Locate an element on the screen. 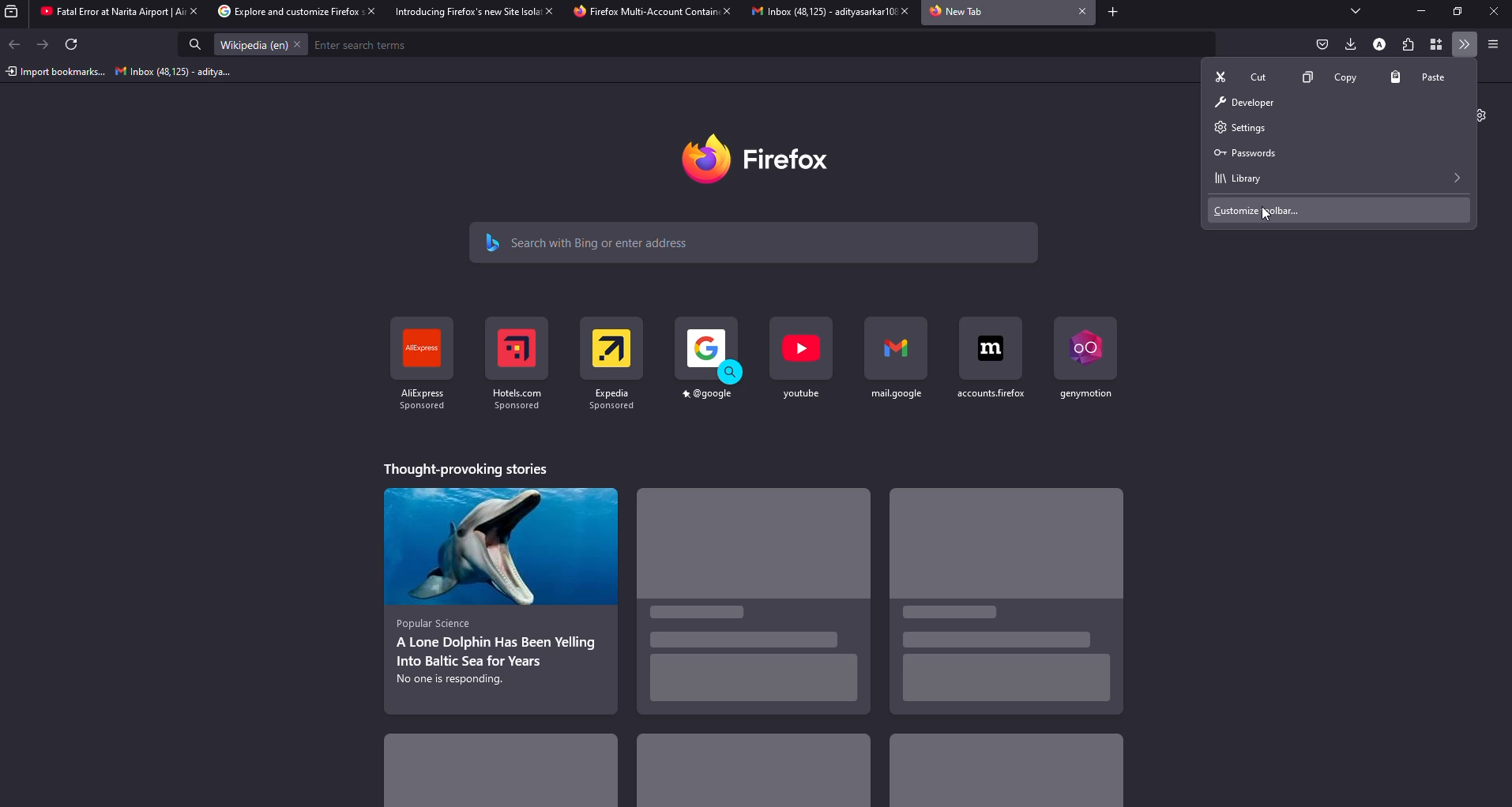 The height and width of the screenshot is (807, 1512). shortcut is located at coordinates (709, 360).